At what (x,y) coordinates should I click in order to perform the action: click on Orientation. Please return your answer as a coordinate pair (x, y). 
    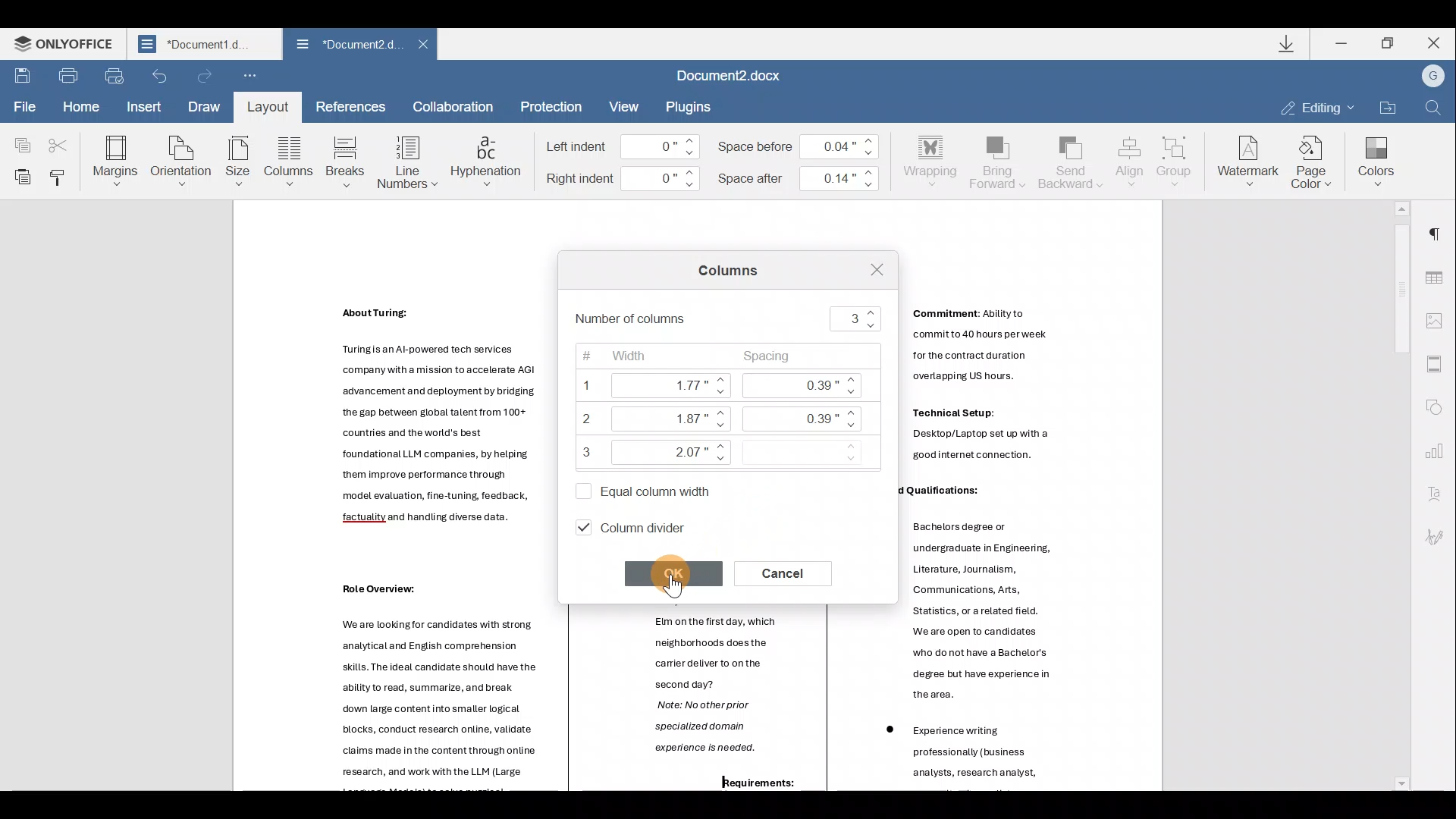
    Looking at the image, I should click on (182, 159).